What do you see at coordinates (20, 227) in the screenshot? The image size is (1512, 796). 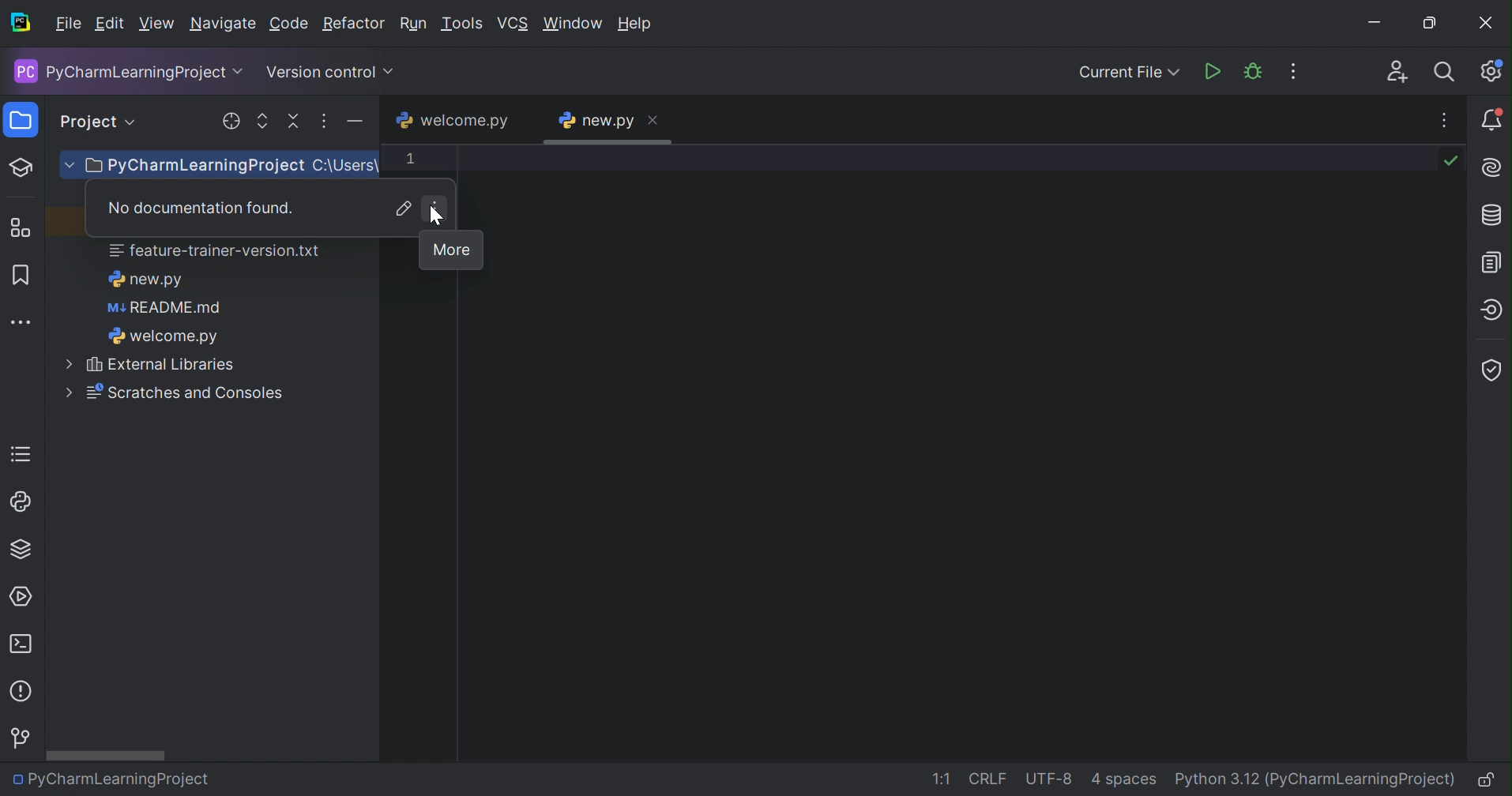 I see `Structure` at bounding box center [20, 227].